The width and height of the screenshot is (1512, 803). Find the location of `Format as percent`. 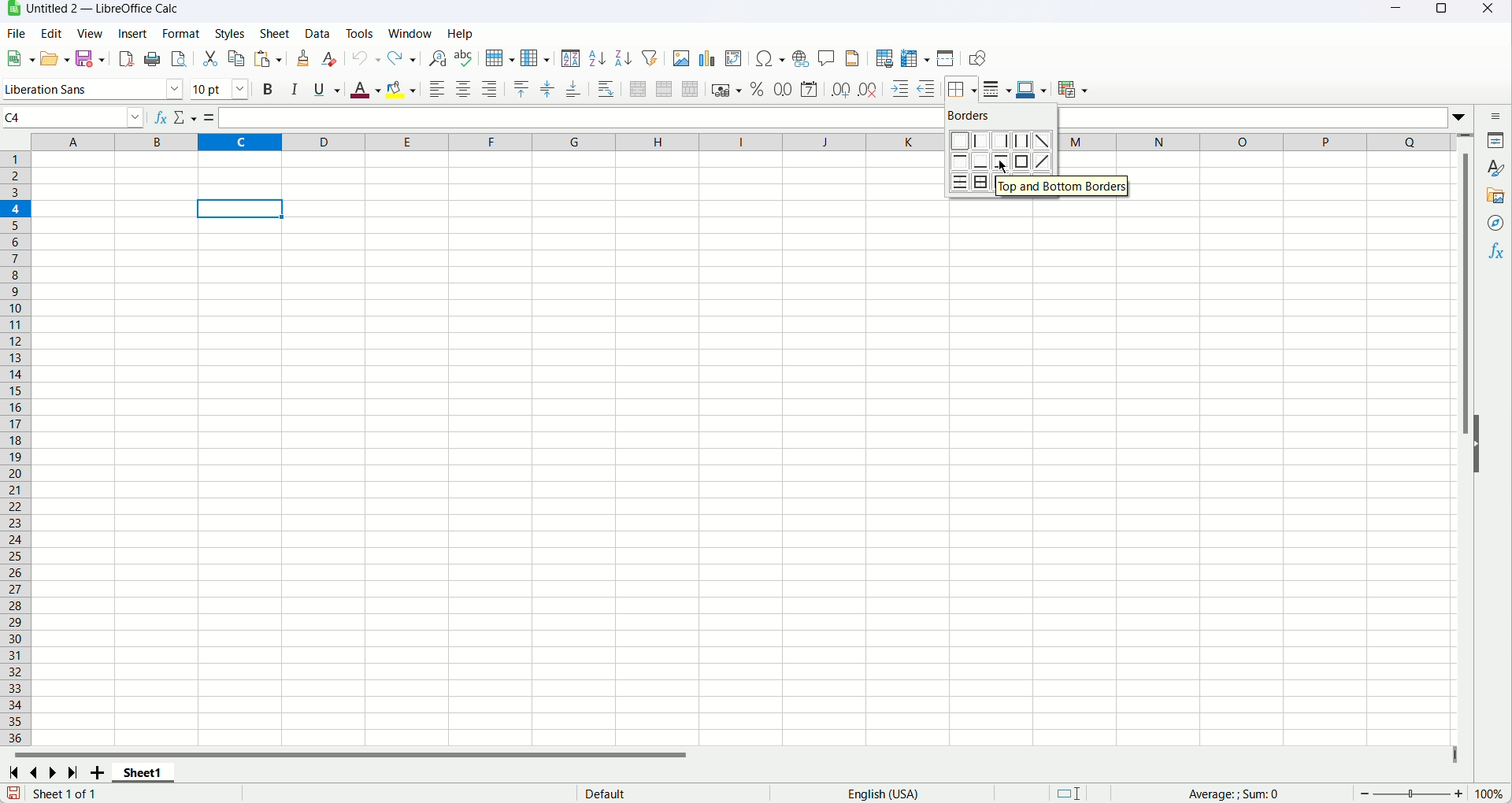

Format as percent is located at coordinates (758, 90).